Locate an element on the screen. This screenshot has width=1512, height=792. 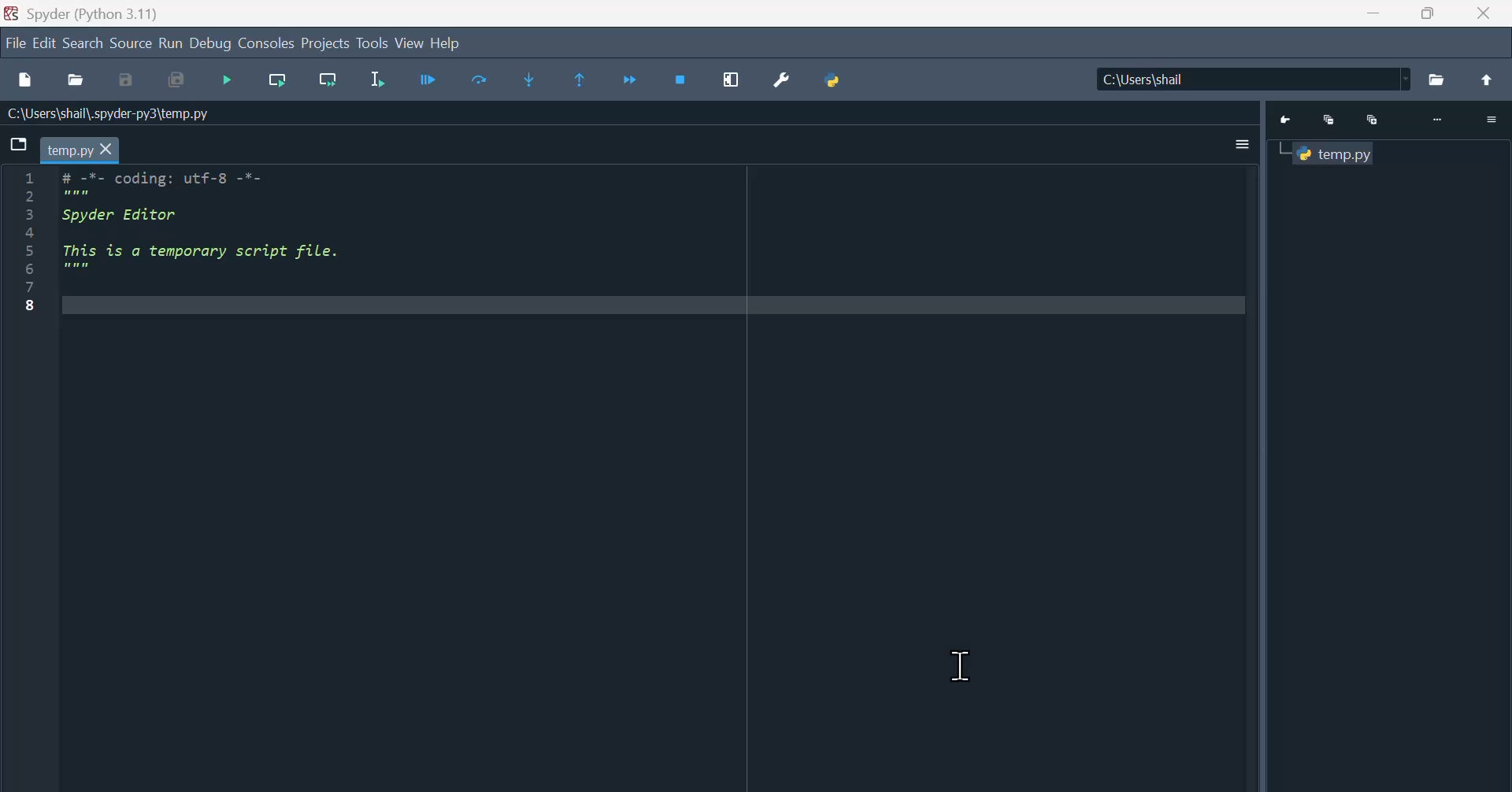
More is located at coordinates (1440, 120).